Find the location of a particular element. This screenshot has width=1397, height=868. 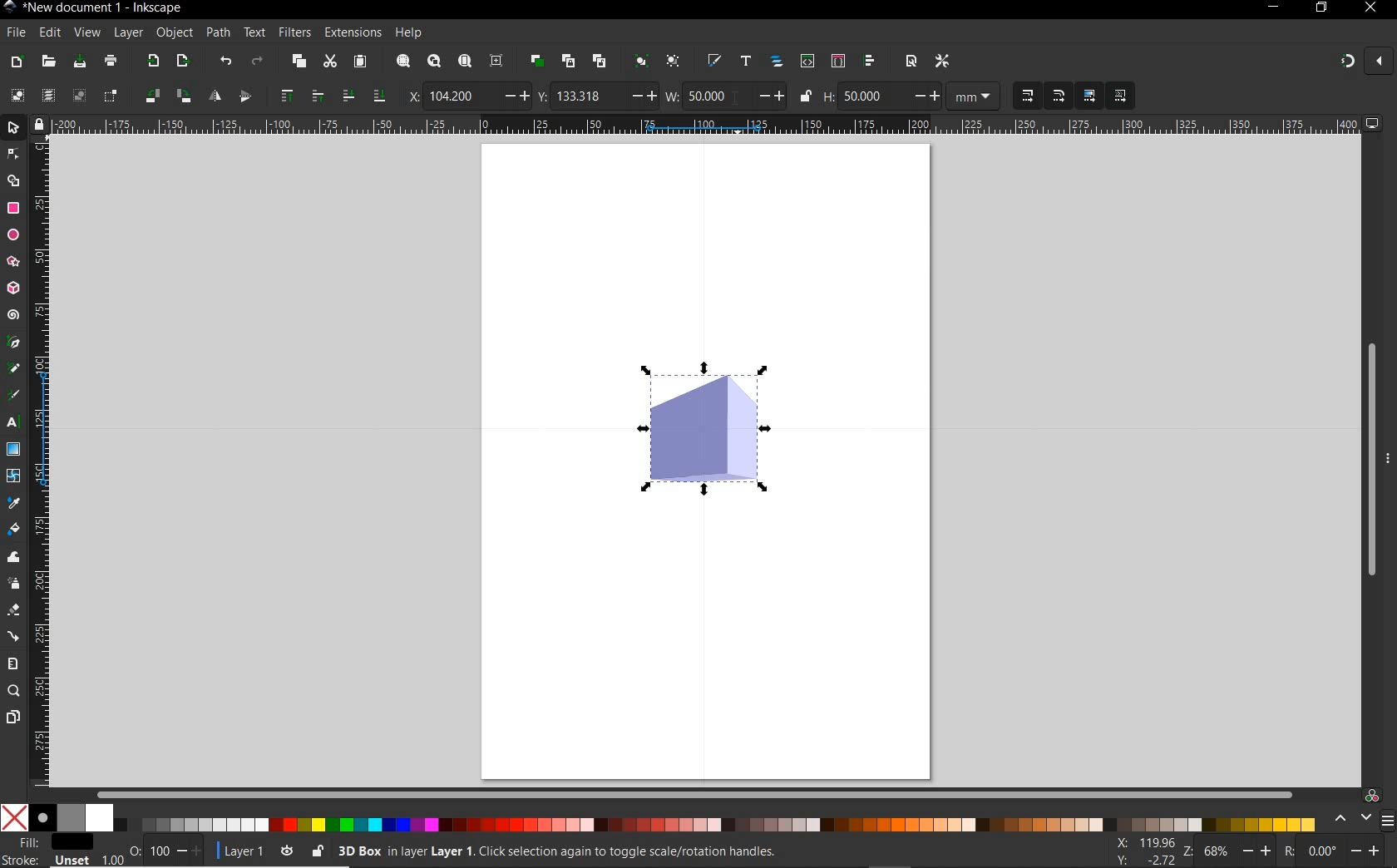

color managed code is located at coordinates (1372, 796).